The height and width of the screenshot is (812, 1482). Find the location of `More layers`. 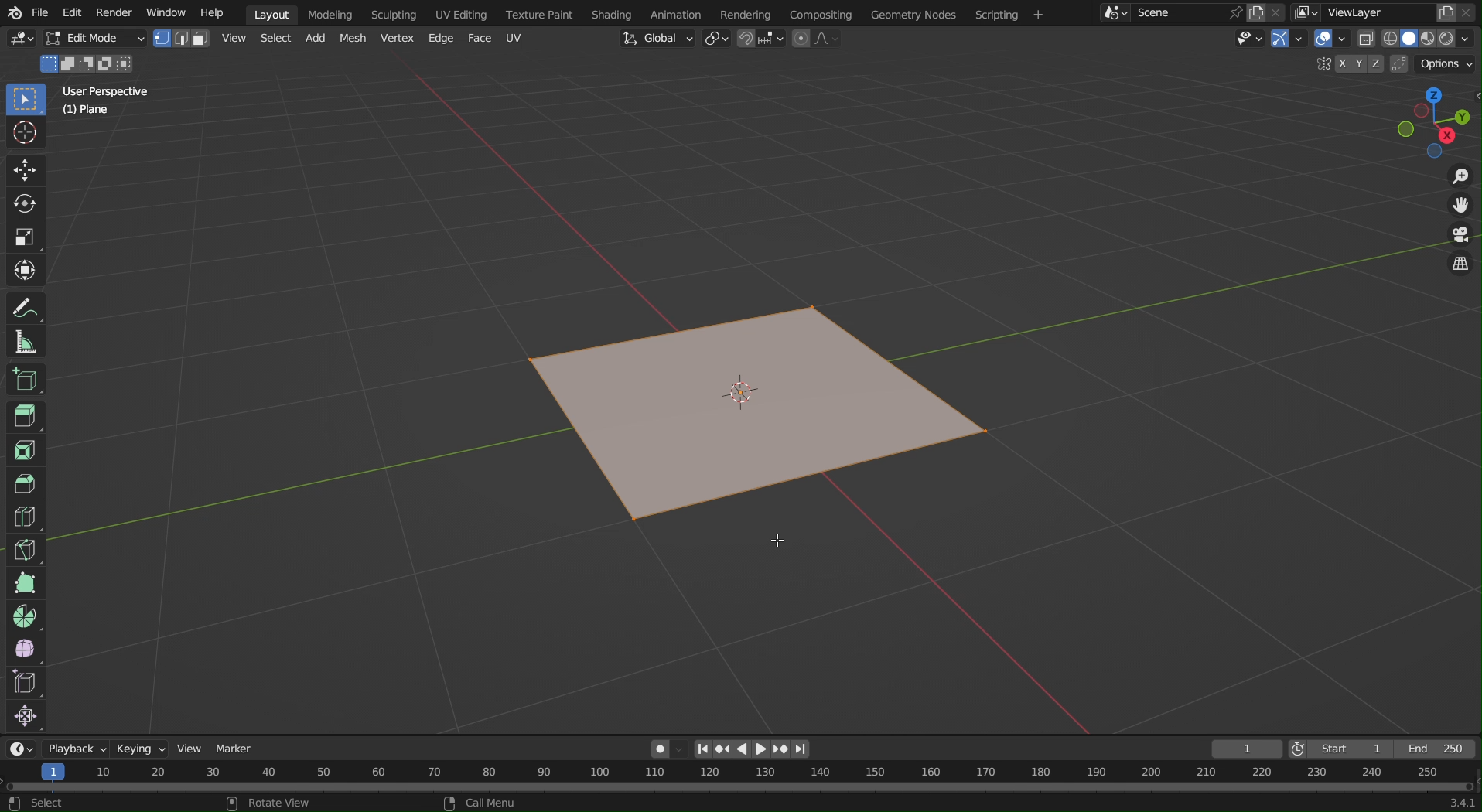

More layers is located at coordinates (1306, 14).